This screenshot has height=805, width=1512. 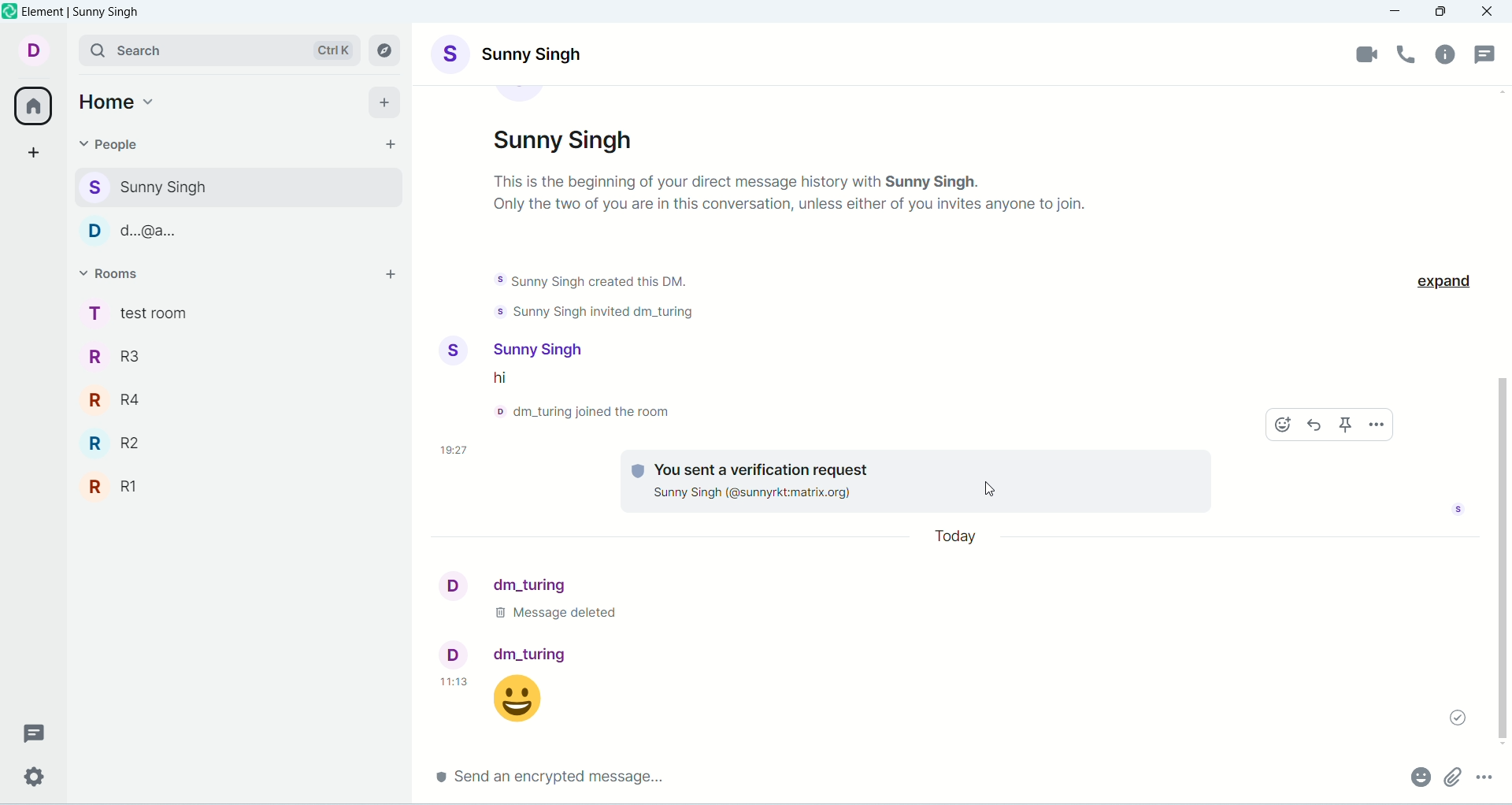 I want to click on close, so click(x=1489, y=12).